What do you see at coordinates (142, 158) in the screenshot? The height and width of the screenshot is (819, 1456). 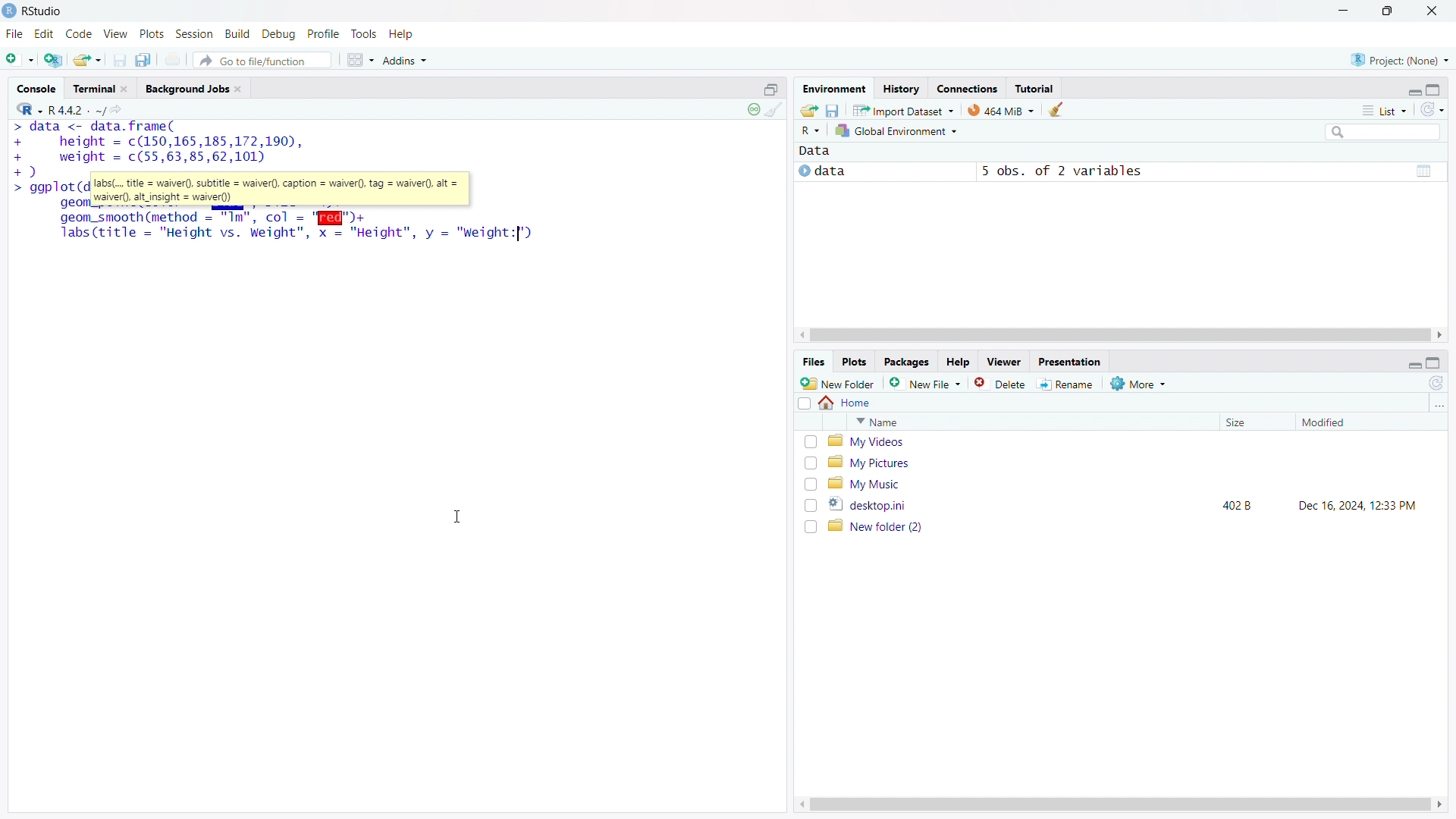 I see `+ weight = c(55,63,85,62,101)` at bounding box center [142, 158].